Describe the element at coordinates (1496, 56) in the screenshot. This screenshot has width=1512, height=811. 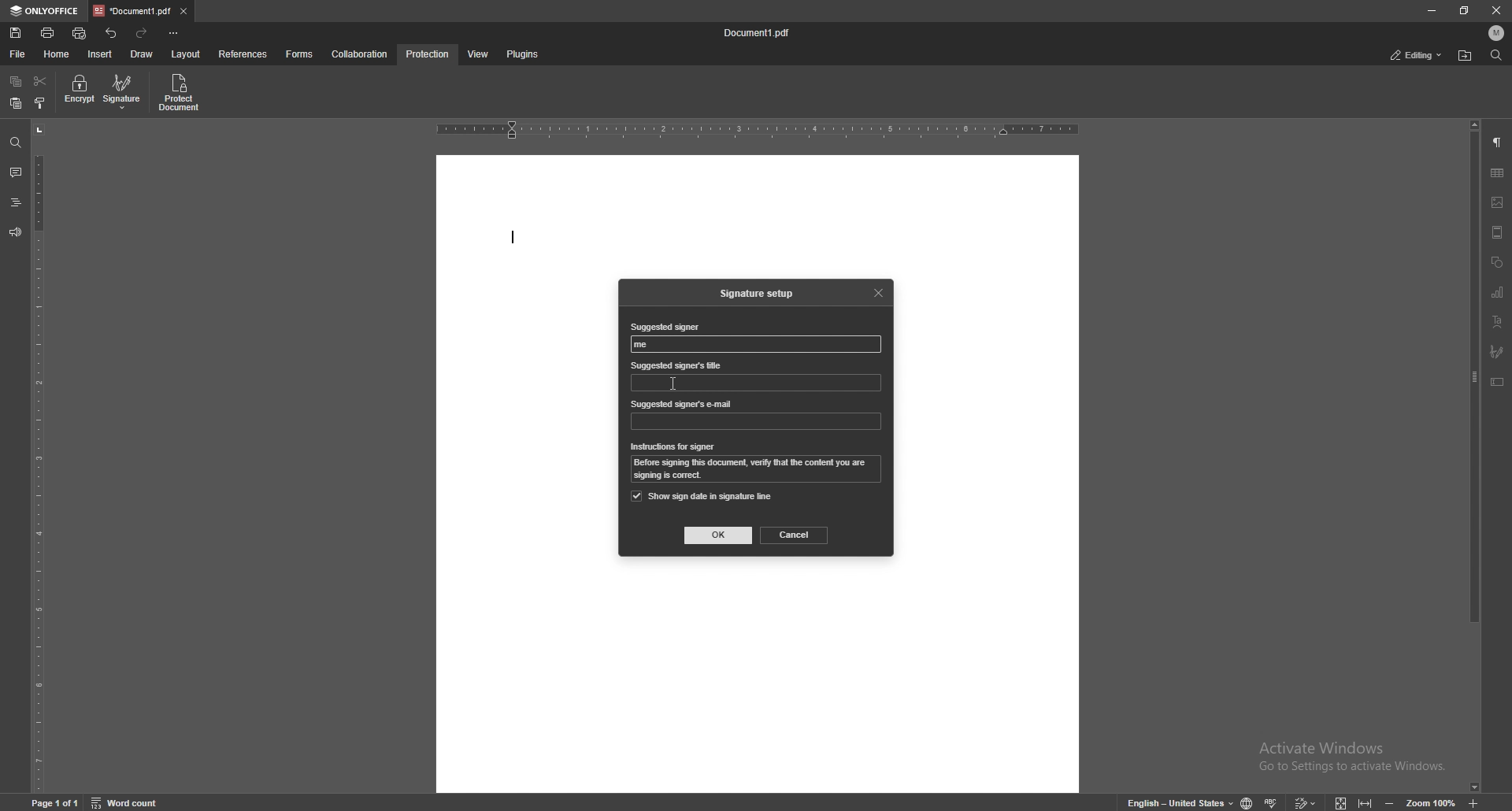
I see `find` at that location.